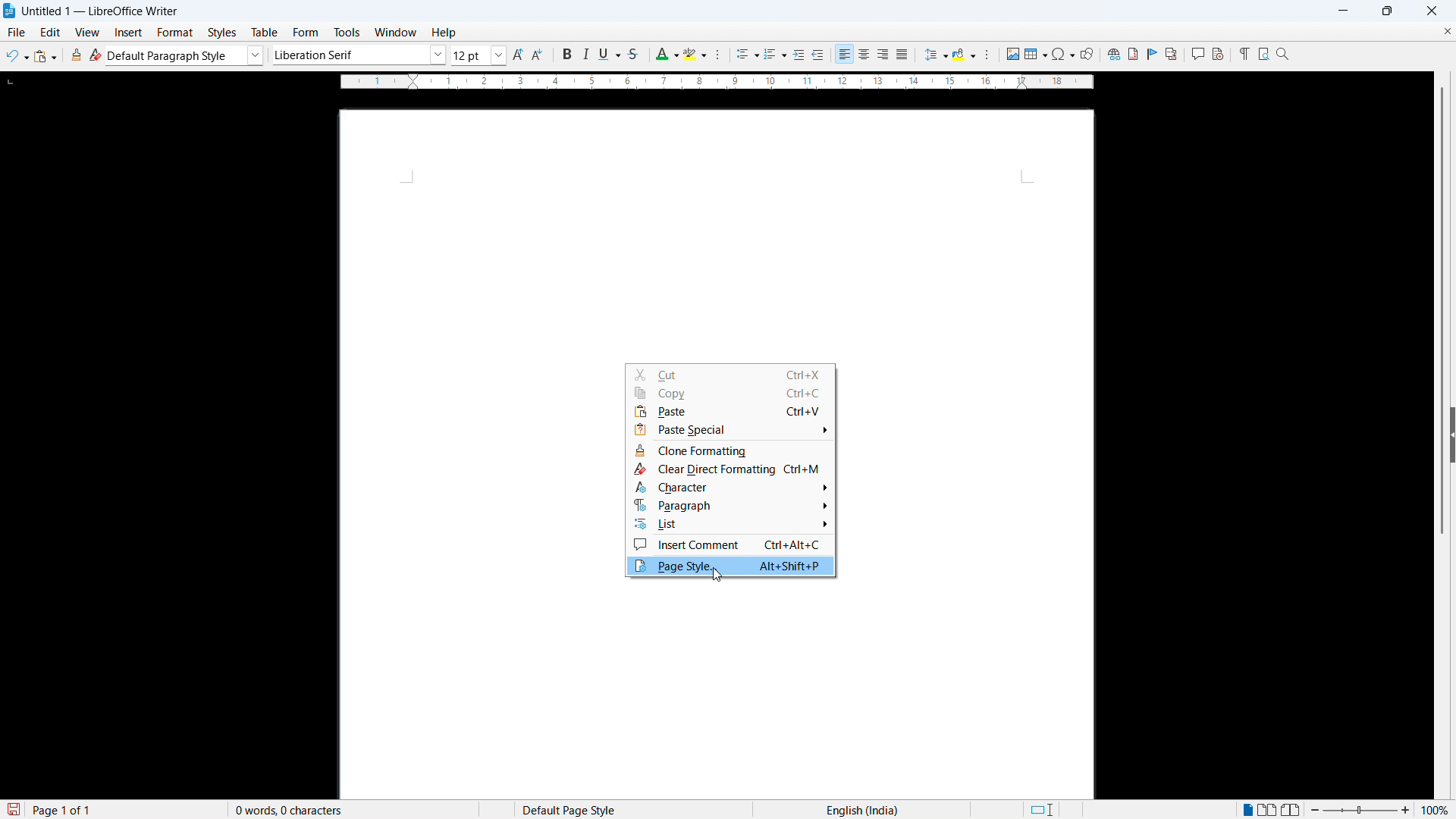 Image resolution: width=1456 pixels, height=819 pixels. I want to click on 0 words, 0 characters, so click(290, 810).